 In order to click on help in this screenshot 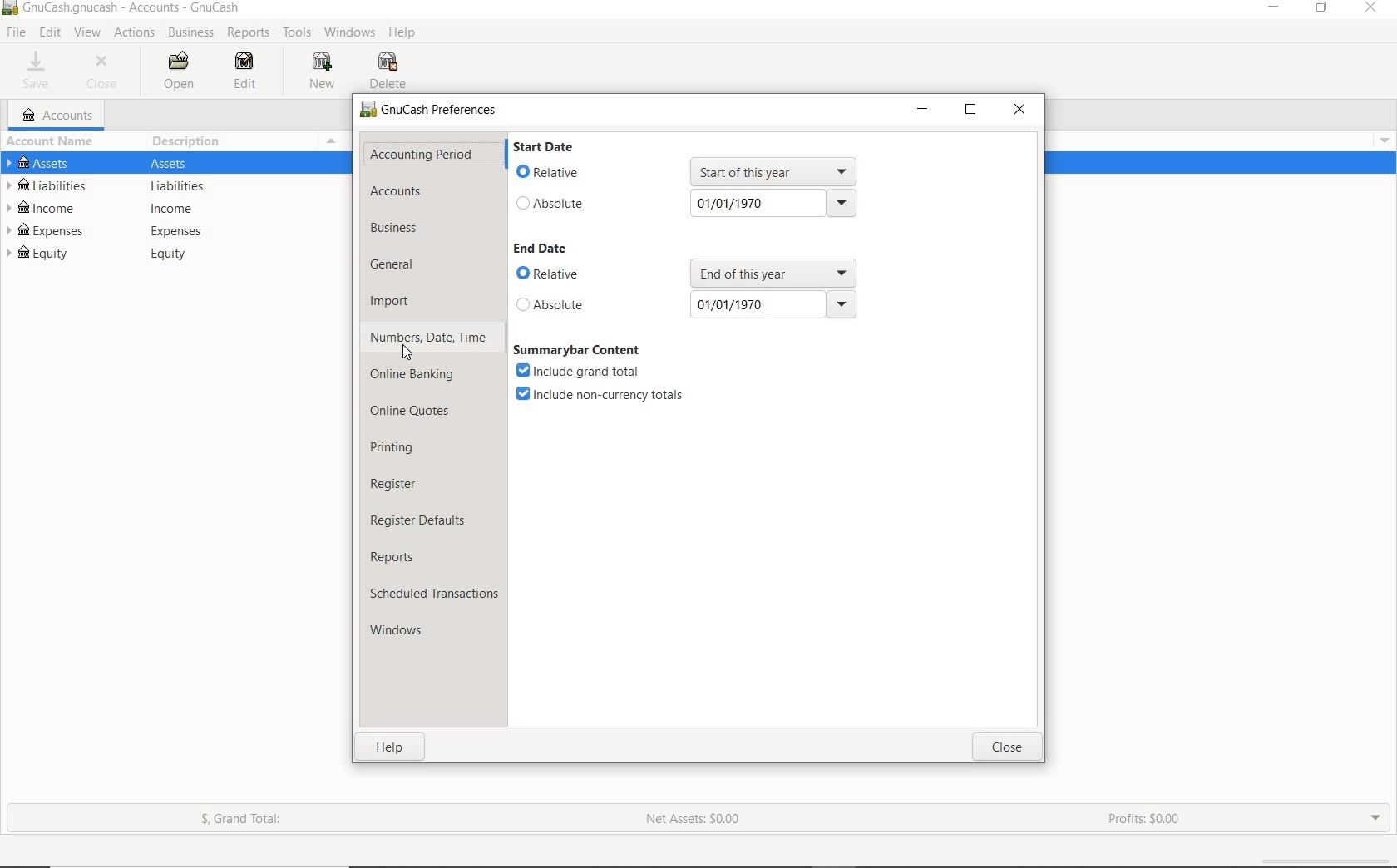, I will do `click(392, 750)`.